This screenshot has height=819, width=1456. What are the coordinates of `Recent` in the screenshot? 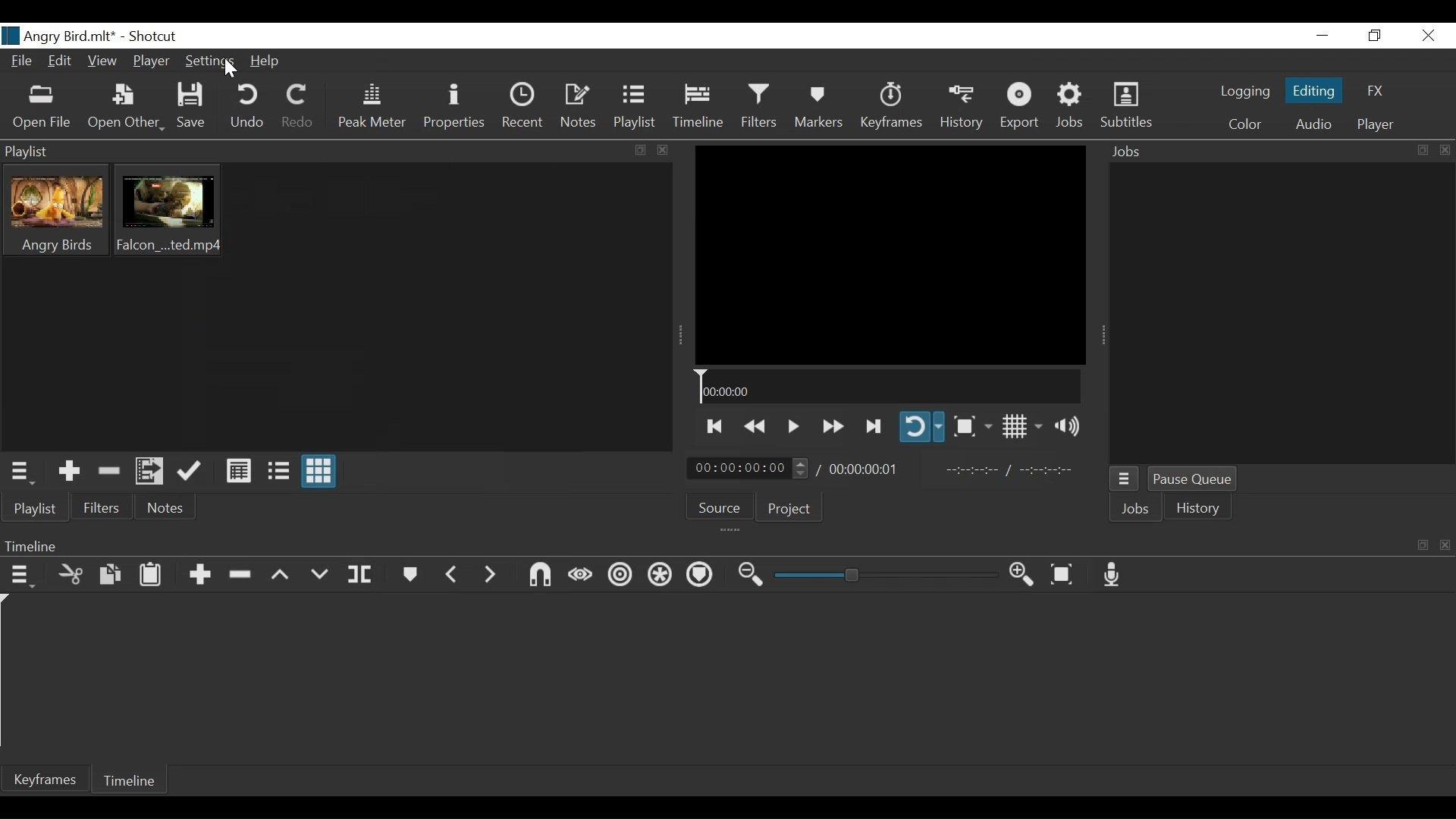 It's located at (522, 108).